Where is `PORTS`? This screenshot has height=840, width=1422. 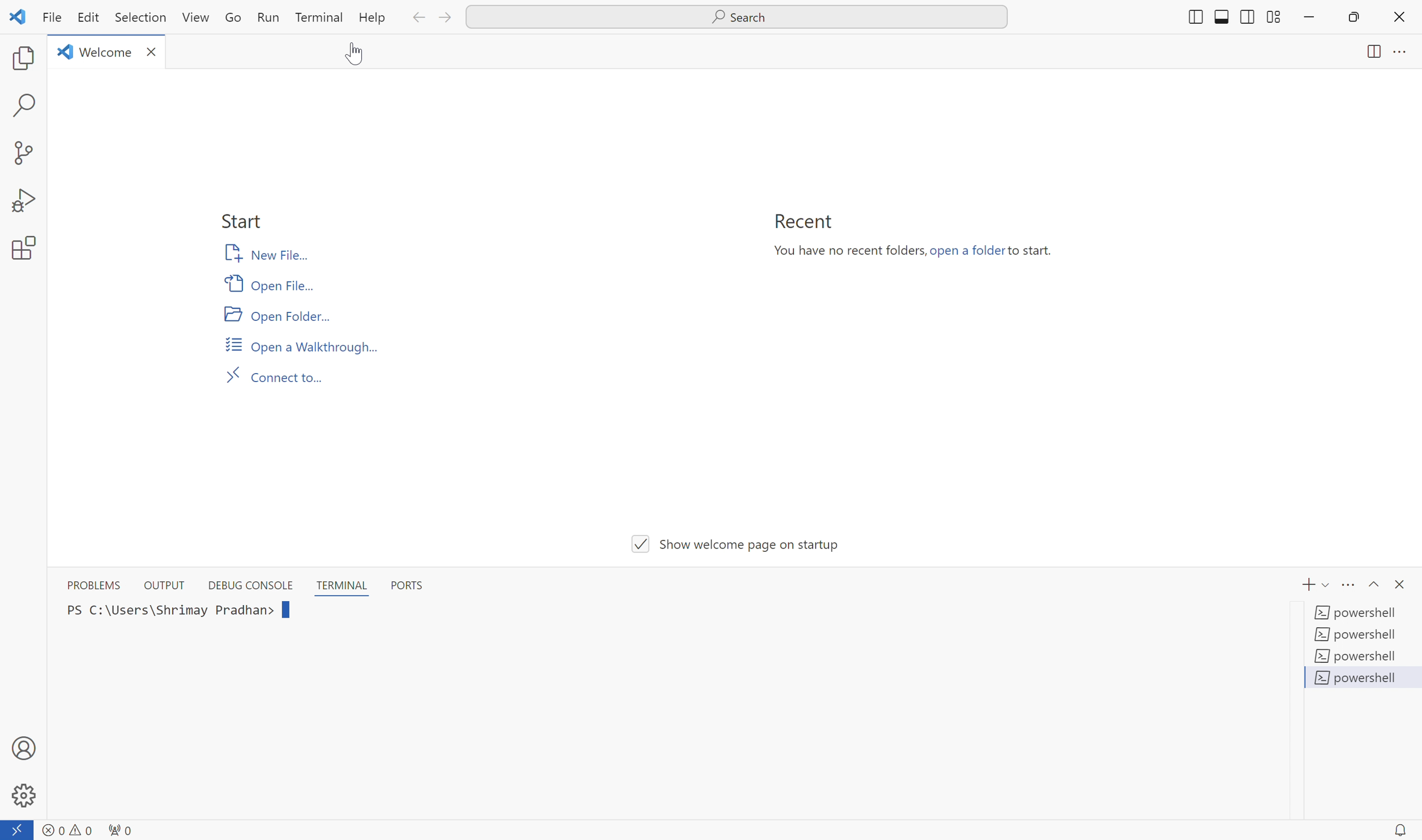 PORTS is located at coordinates (408, 583).